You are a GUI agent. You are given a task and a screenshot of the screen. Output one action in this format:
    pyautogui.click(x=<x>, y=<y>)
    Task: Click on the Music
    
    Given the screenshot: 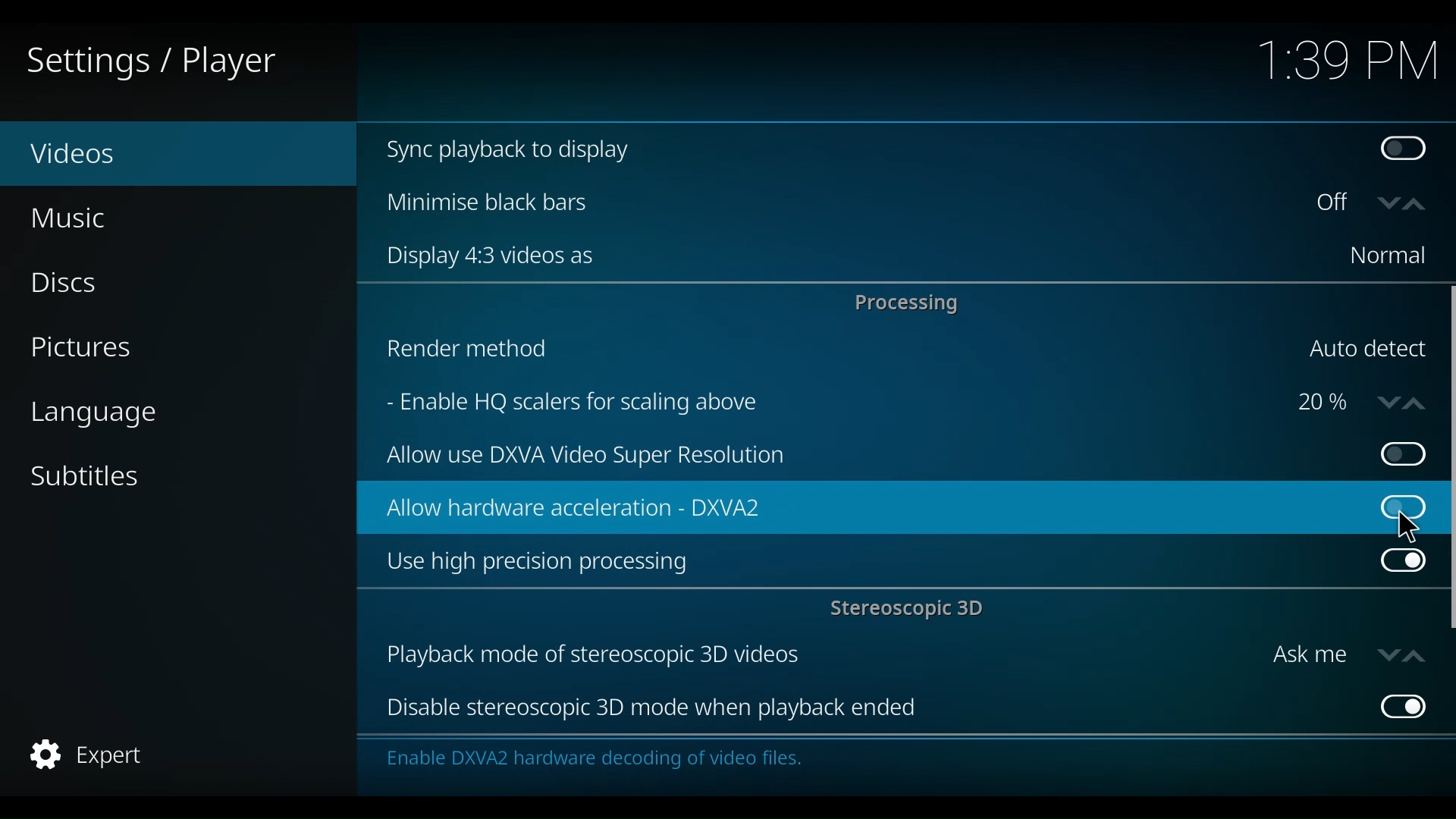 What is the action you would take?
    pyautogui.click(x=72, y=218)
    